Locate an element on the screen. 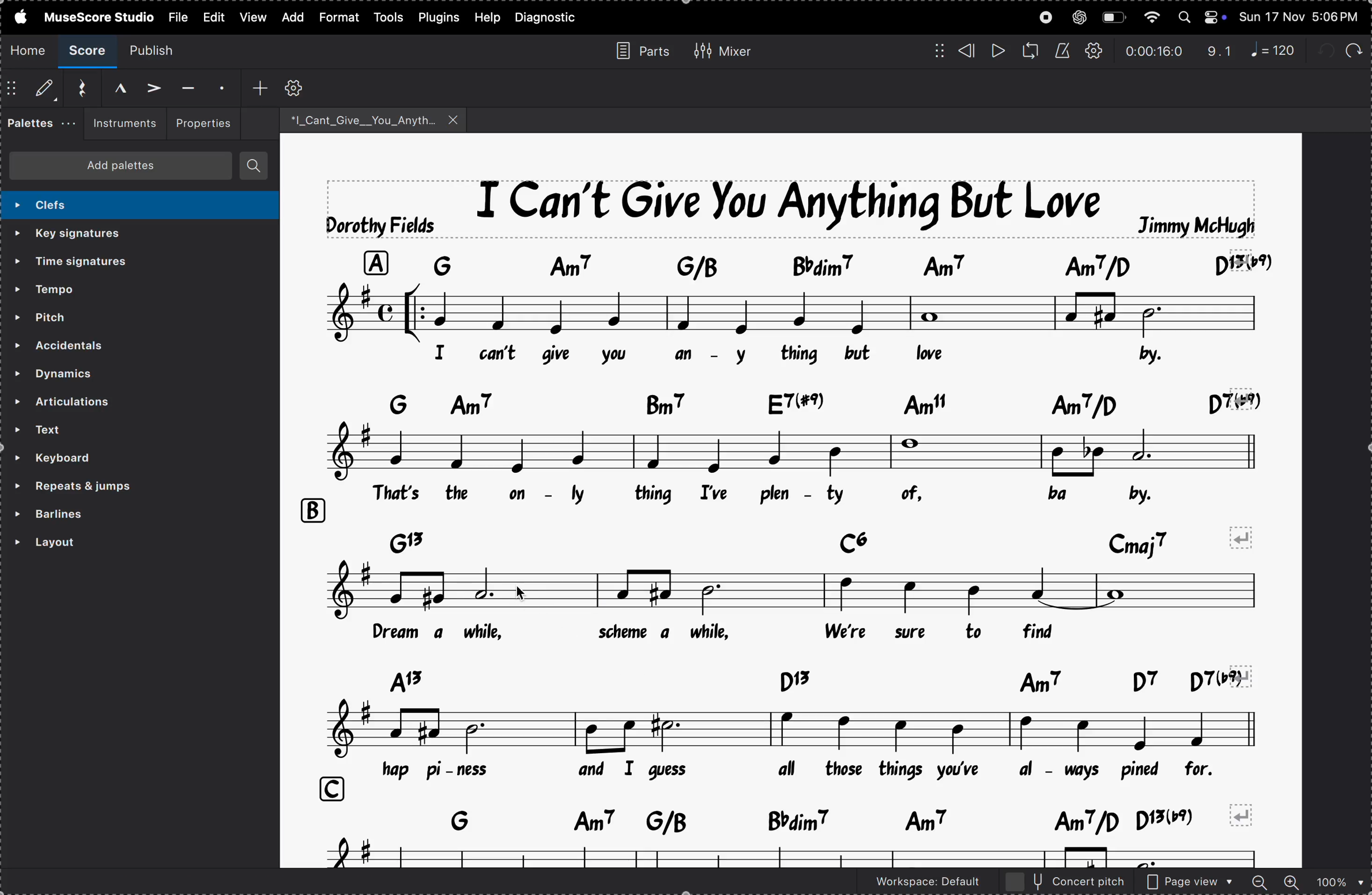 This screenshot has width=1372, height=895. parts is located at coordinates (638, 50).